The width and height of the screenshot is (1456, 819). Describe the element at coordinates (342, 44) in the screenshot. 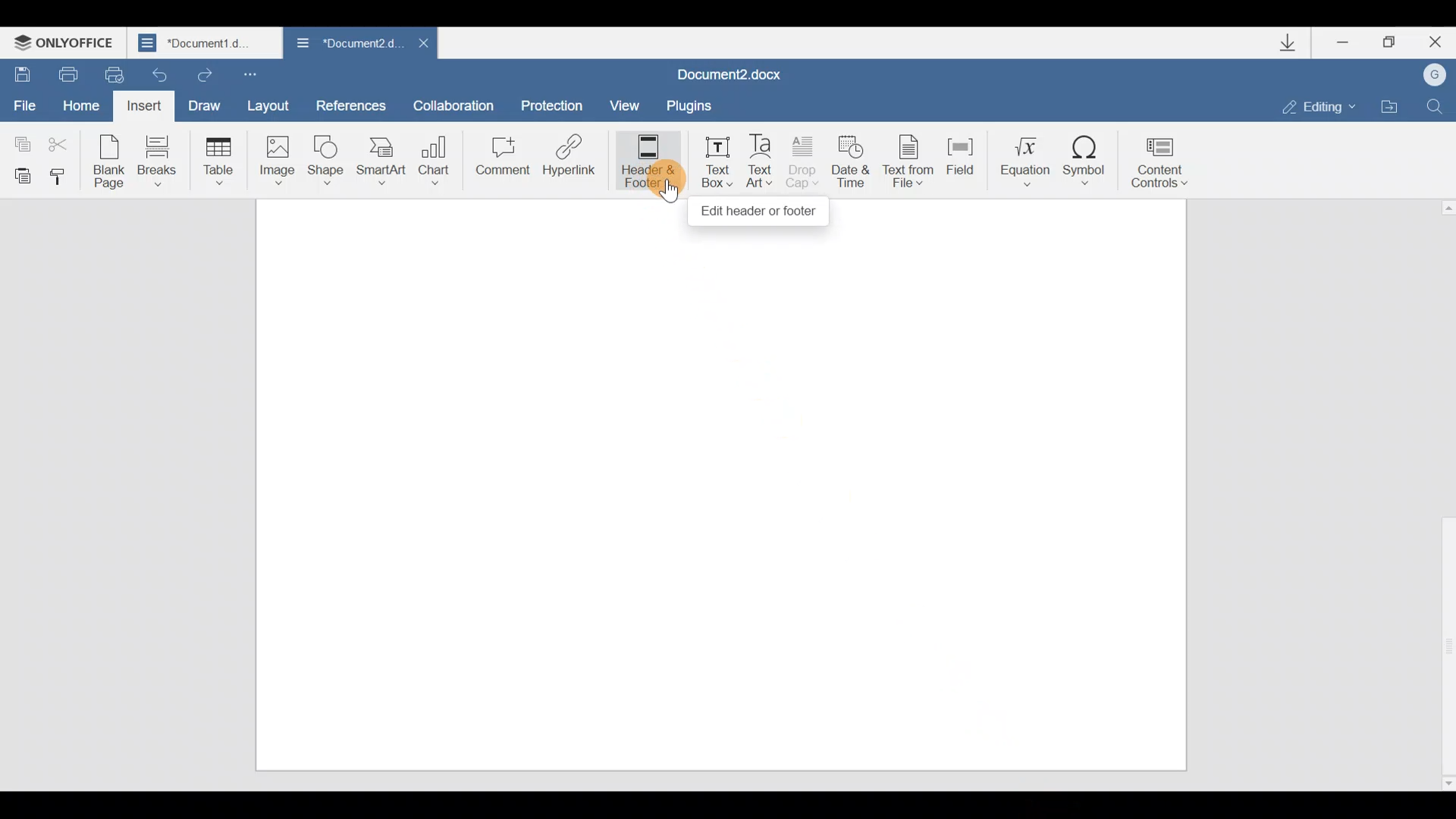

I see `Document2 d.` at that location.